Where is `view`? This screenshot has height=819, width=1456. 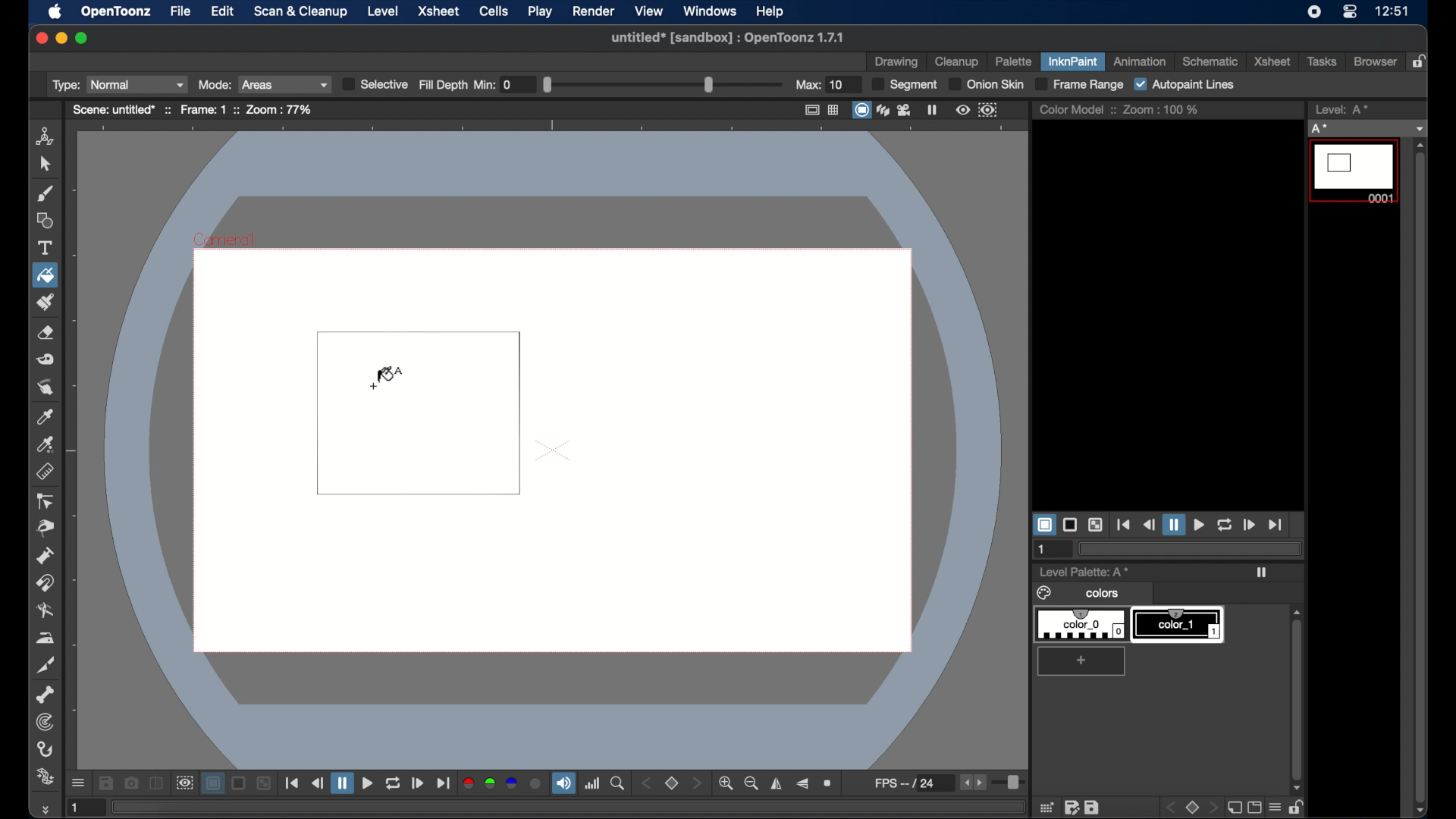 view is located at coordinates (650, 11).